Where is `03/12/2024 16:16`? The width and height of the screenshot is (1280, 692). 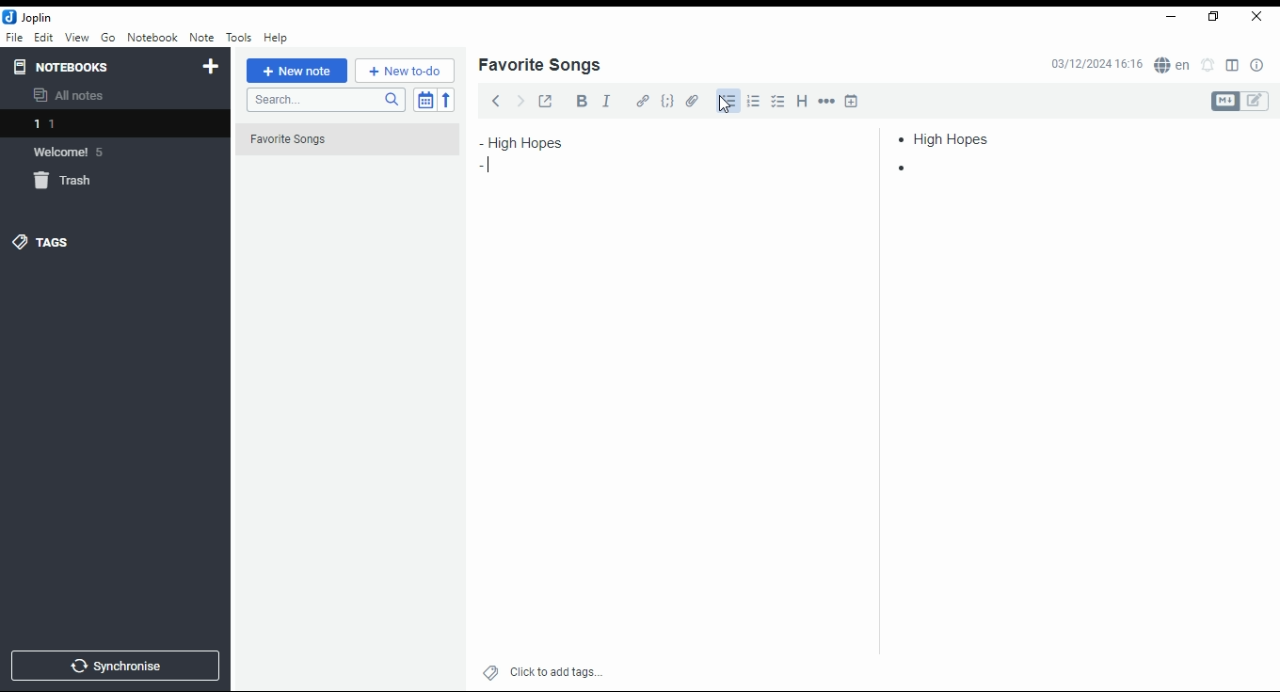
03/12/2024 16:16 is located at coordinates (1096, 64).